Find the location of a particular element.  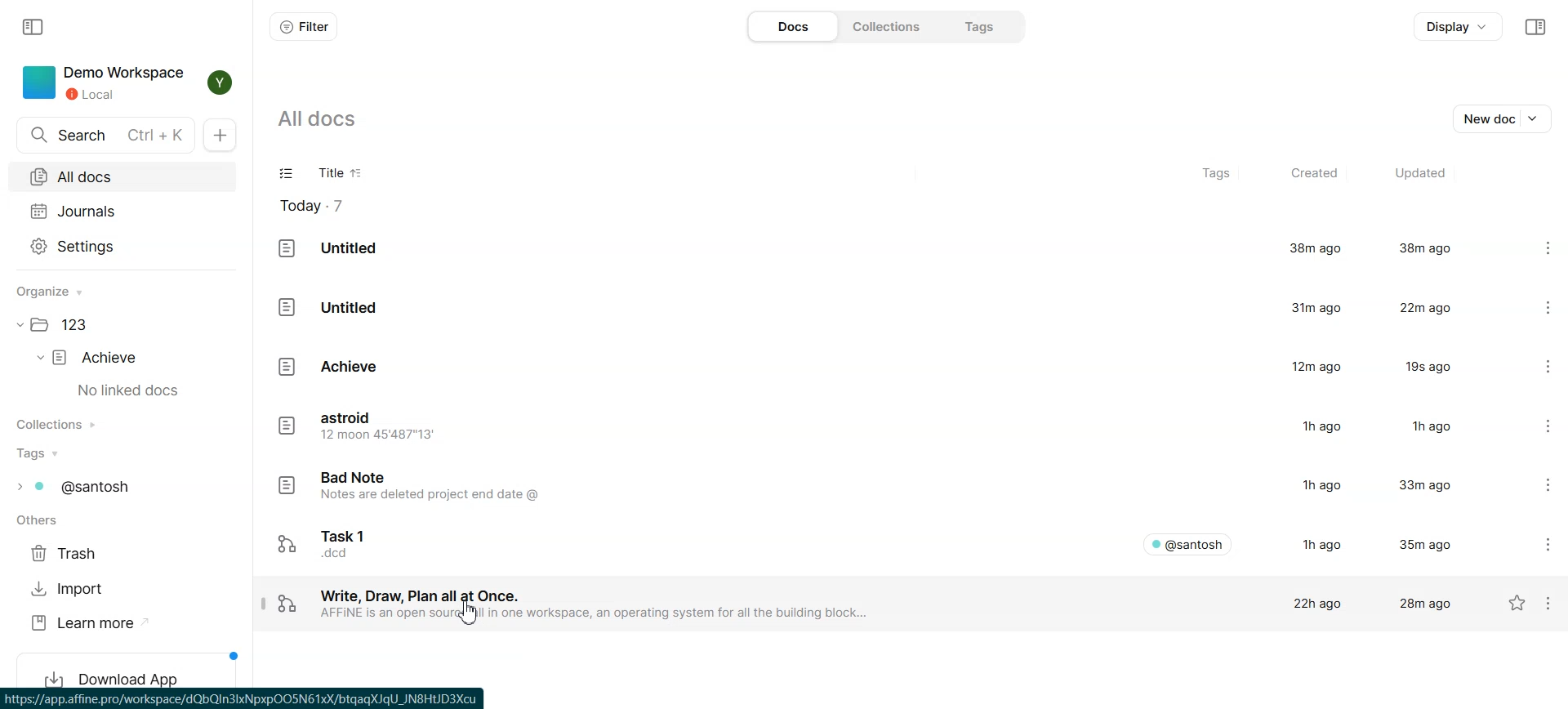

Cursor is located at coordinates (470, 613).